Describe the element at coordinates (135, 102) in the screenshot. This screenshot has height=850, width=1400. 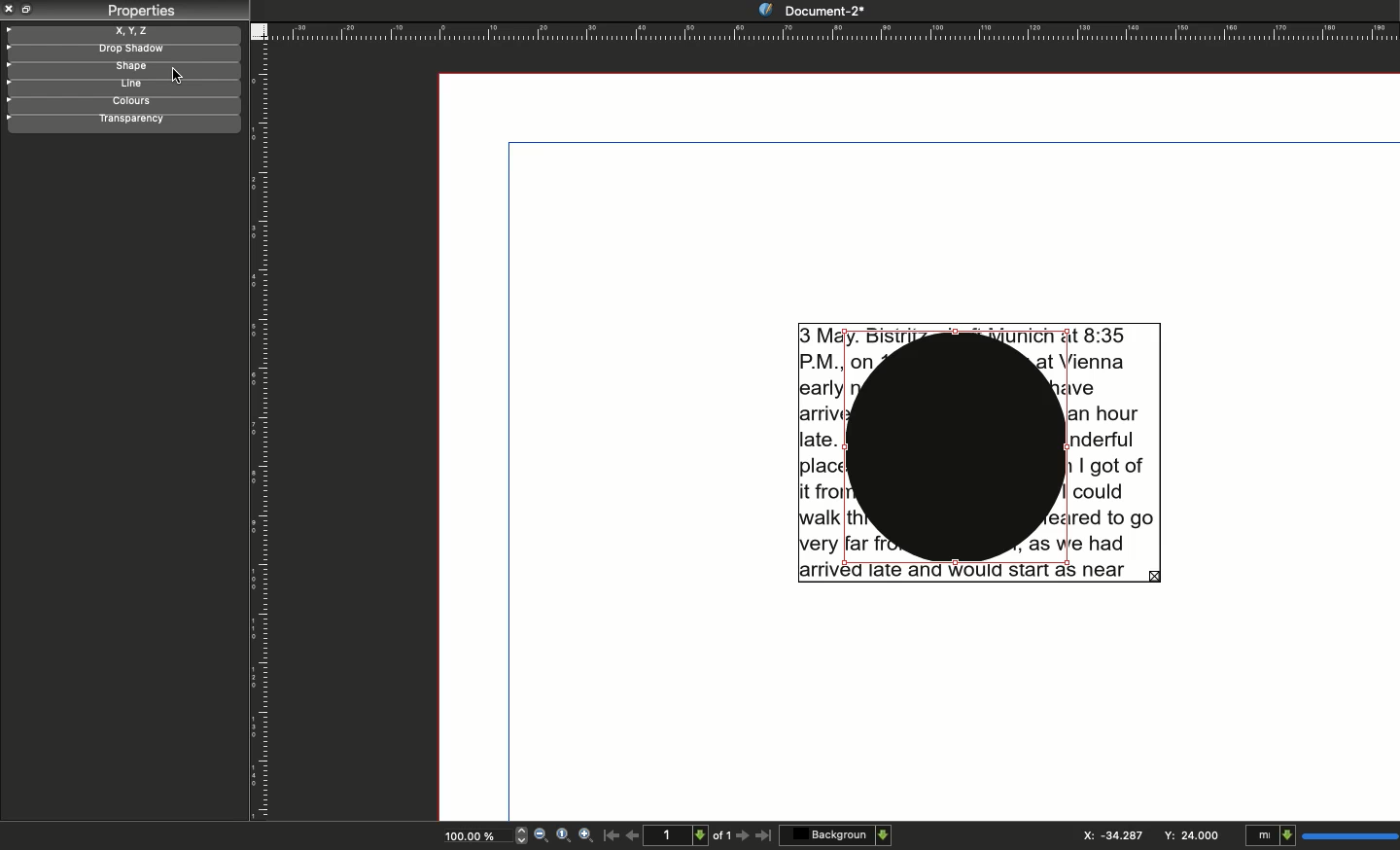
I see `Colours` at that location.